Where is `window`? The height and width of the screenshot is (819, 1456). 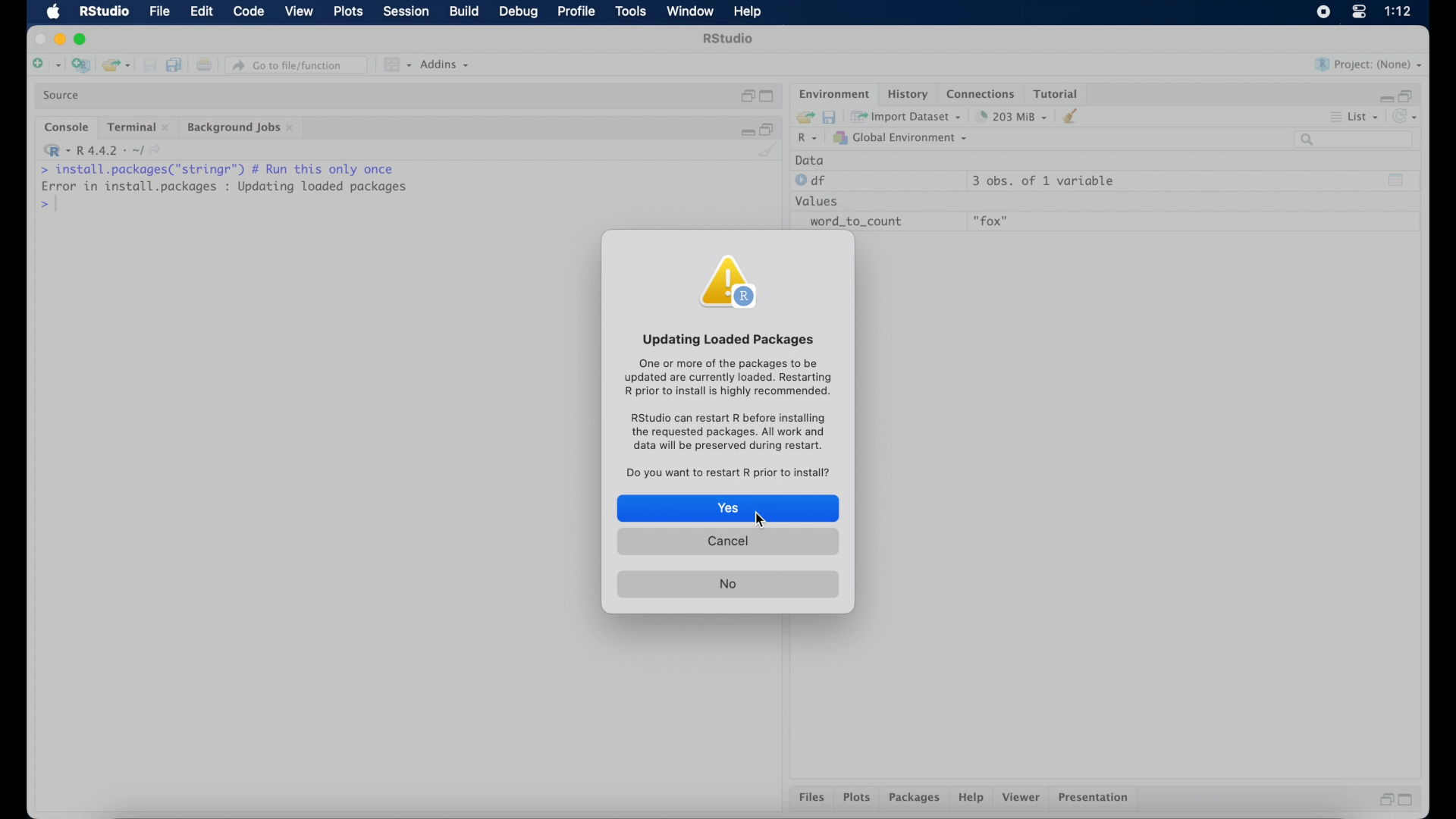 window is located at coordinates (690, 12).